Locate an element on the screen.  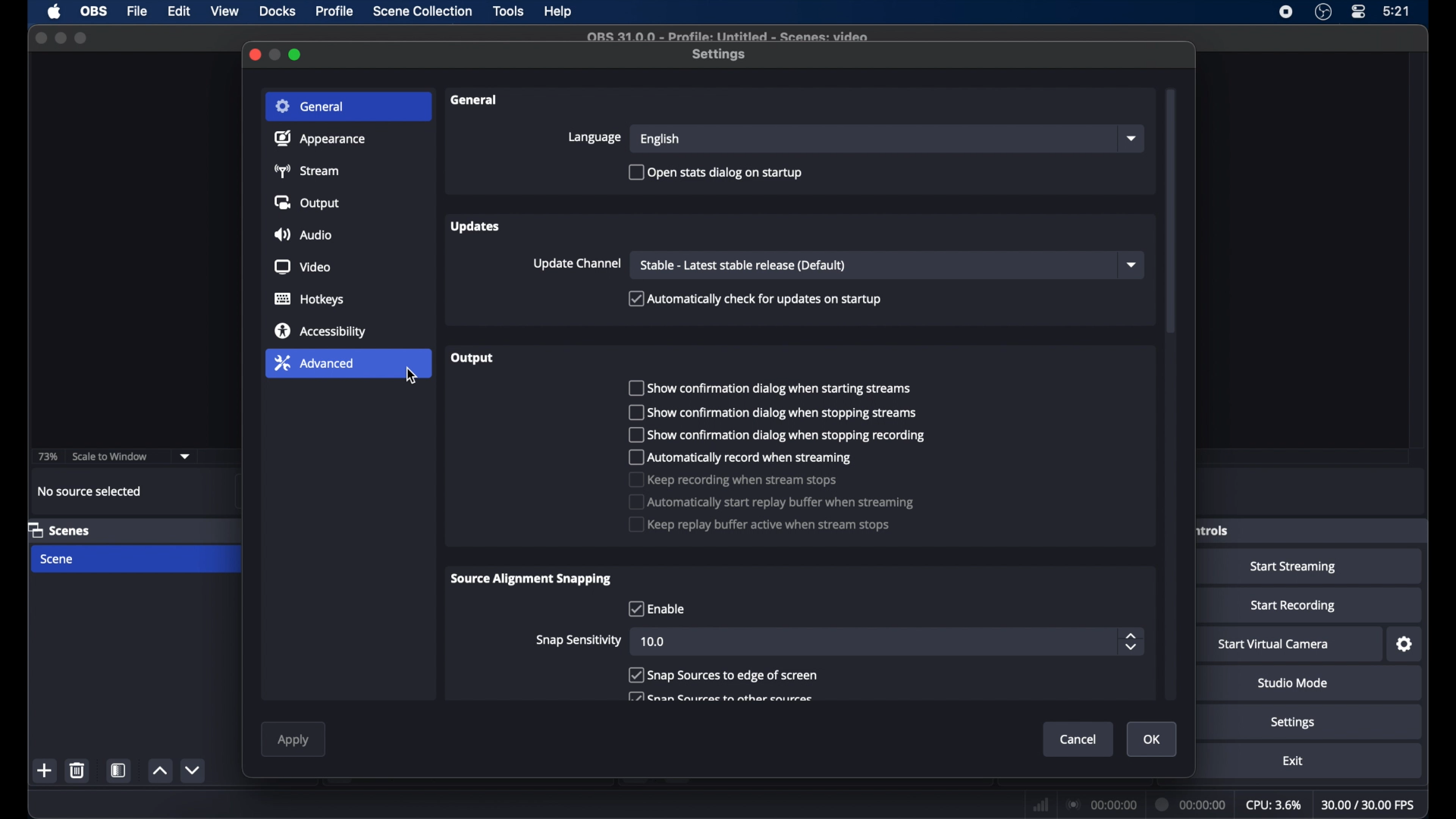
maximize is located at coordinates (81, 37).